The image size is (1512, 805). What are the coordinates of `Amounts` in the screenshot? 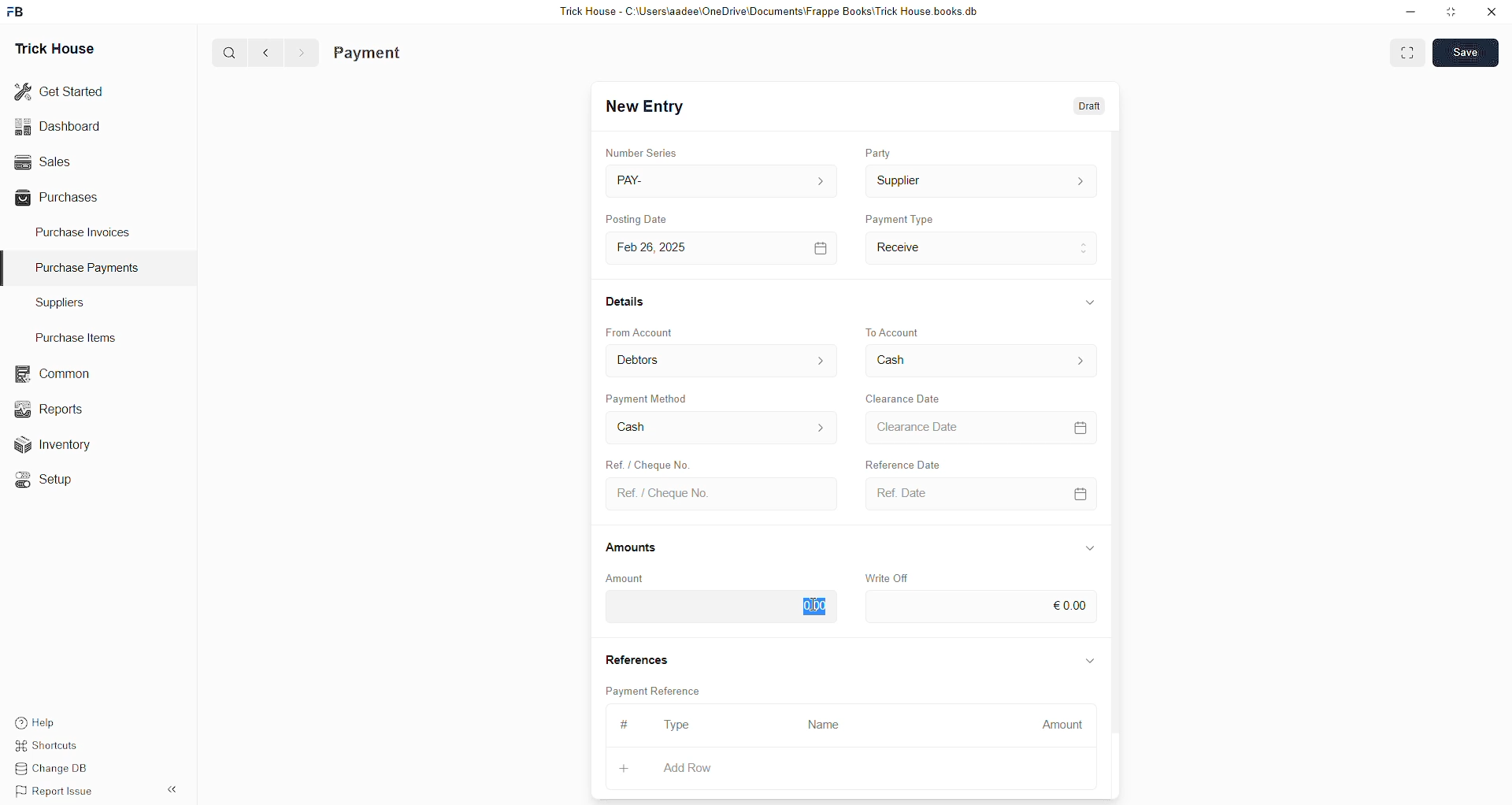 It's located at (637, 547).